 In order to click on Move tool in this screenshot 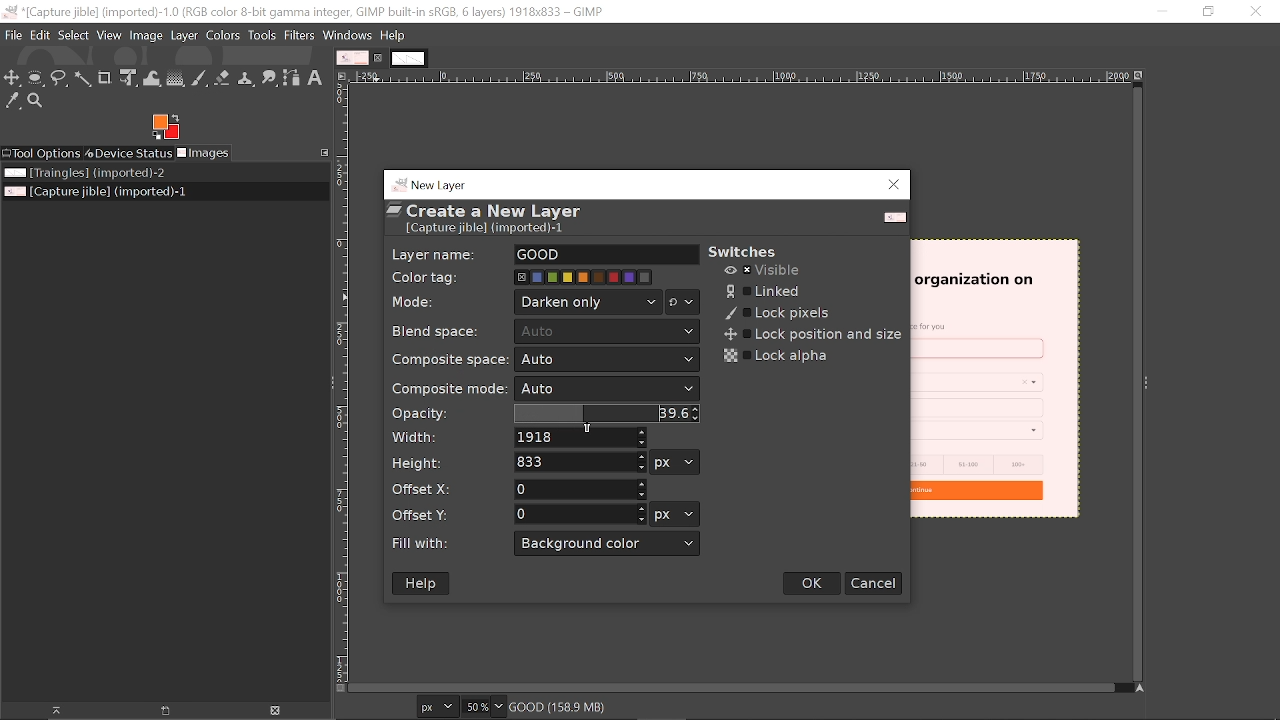, I will do `click(13, 78)`.